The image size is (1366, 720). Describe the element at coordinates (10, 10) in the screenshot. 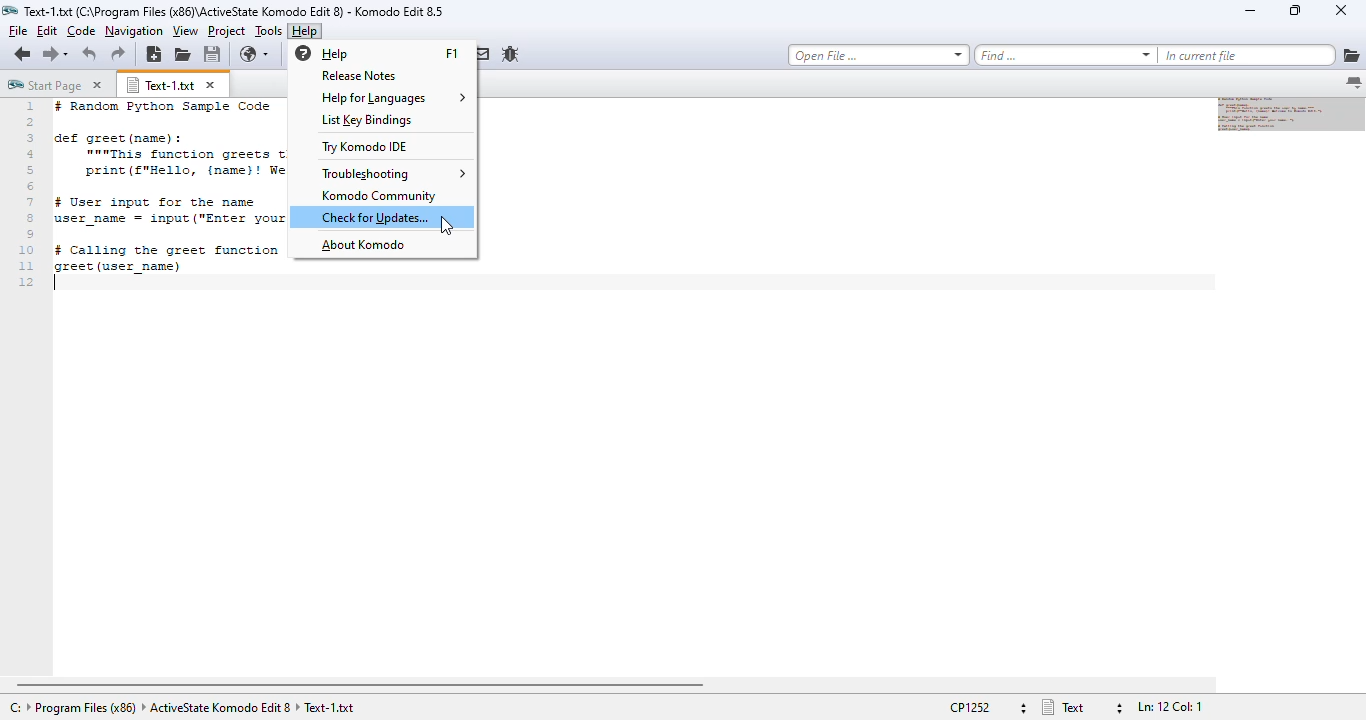

I see `logo` at that location.